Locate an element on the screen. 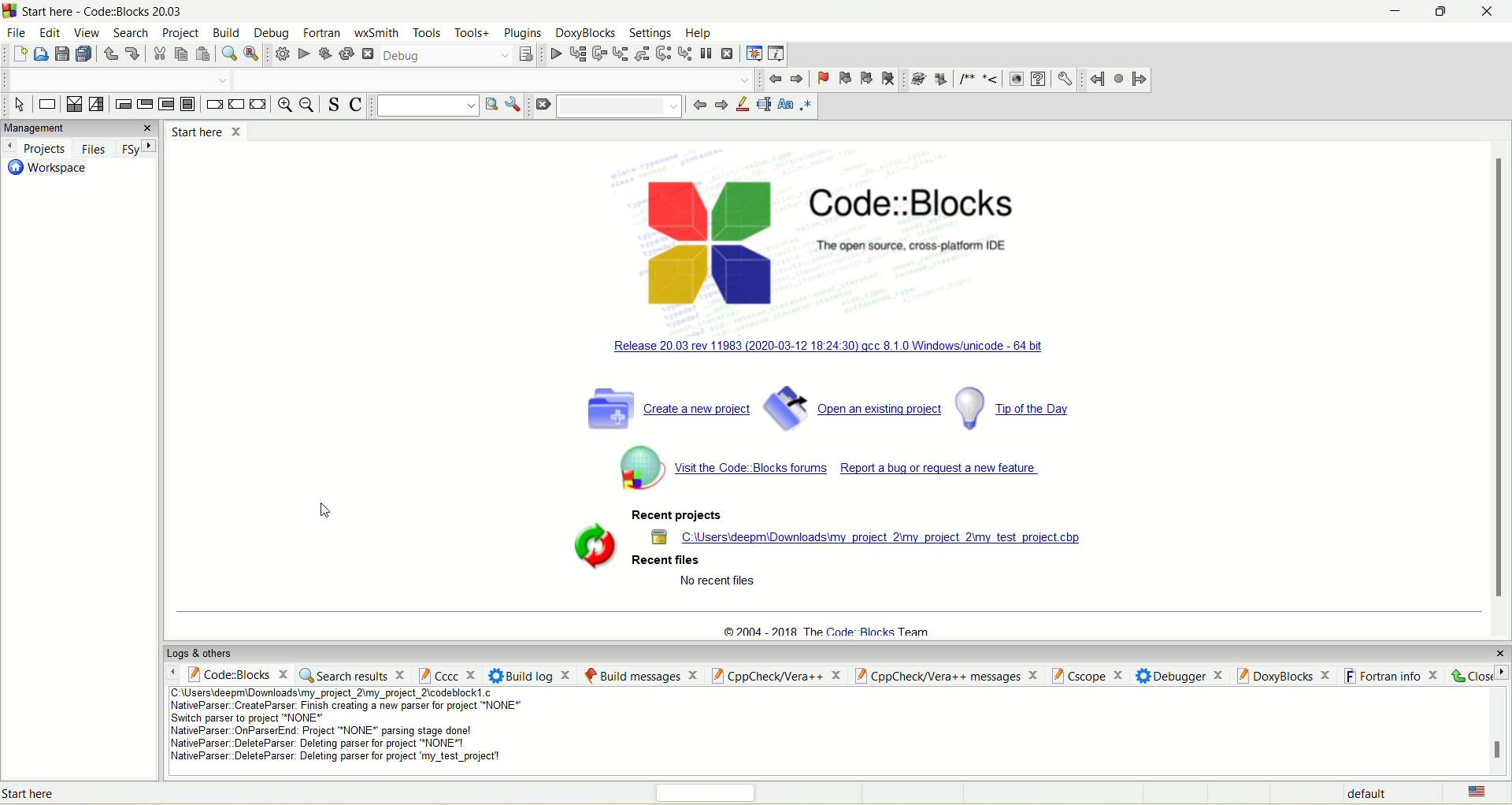  toggle comment is located at coordinates (355, 104).